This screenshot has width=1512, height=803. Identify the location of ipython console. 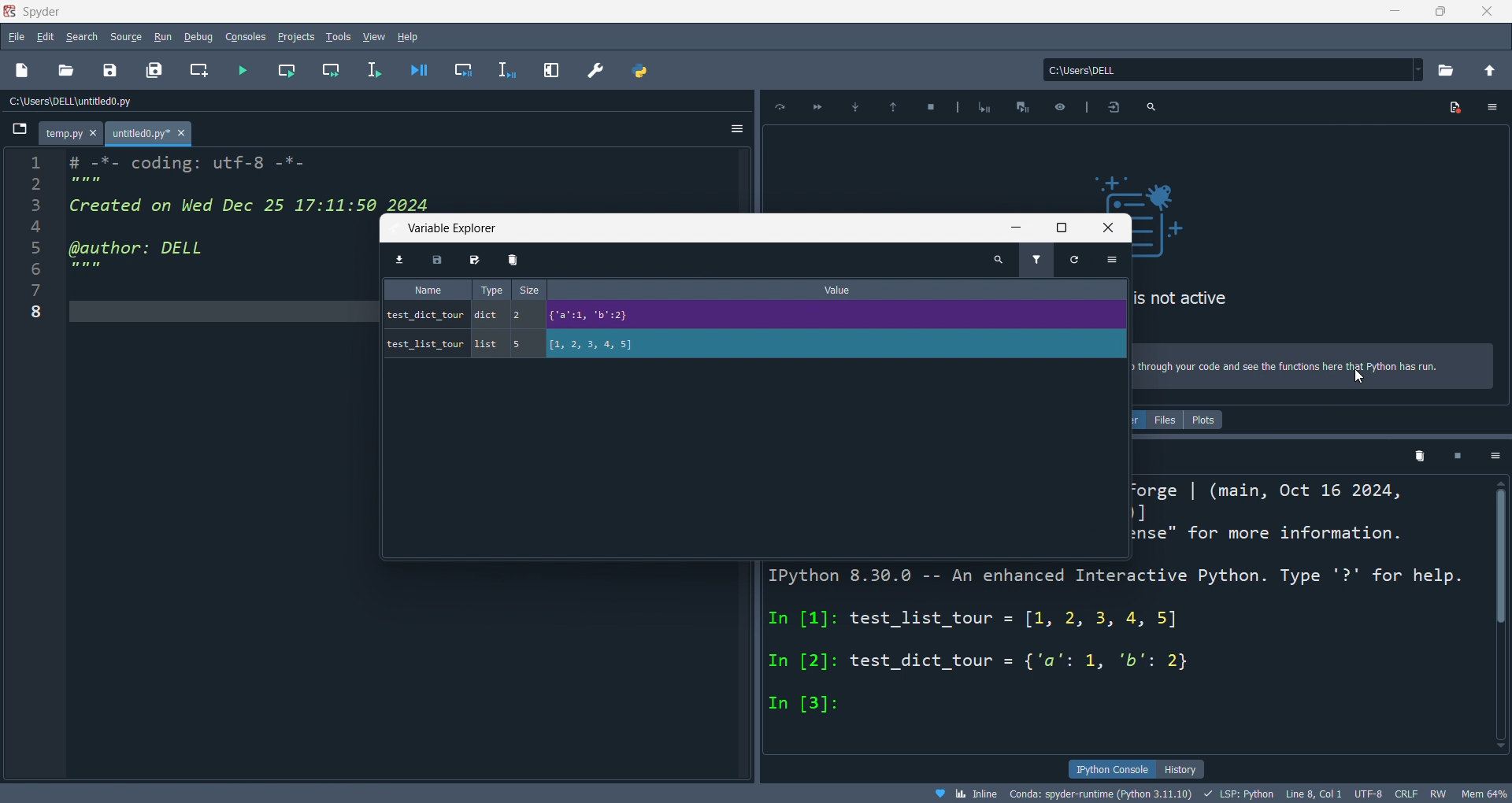
(1110, 767).